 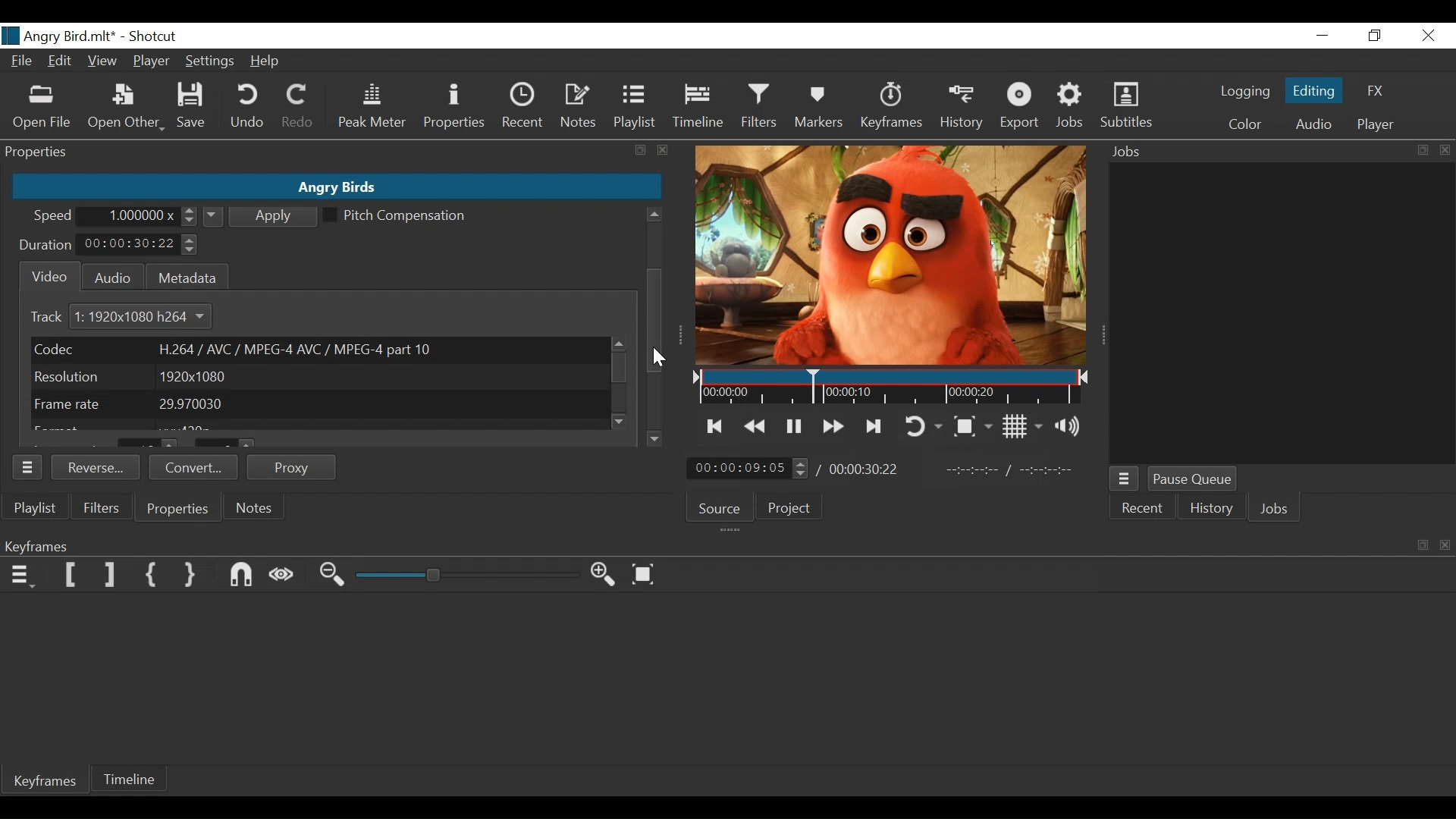 I want to click on Codec, so click(x=317, y=349).